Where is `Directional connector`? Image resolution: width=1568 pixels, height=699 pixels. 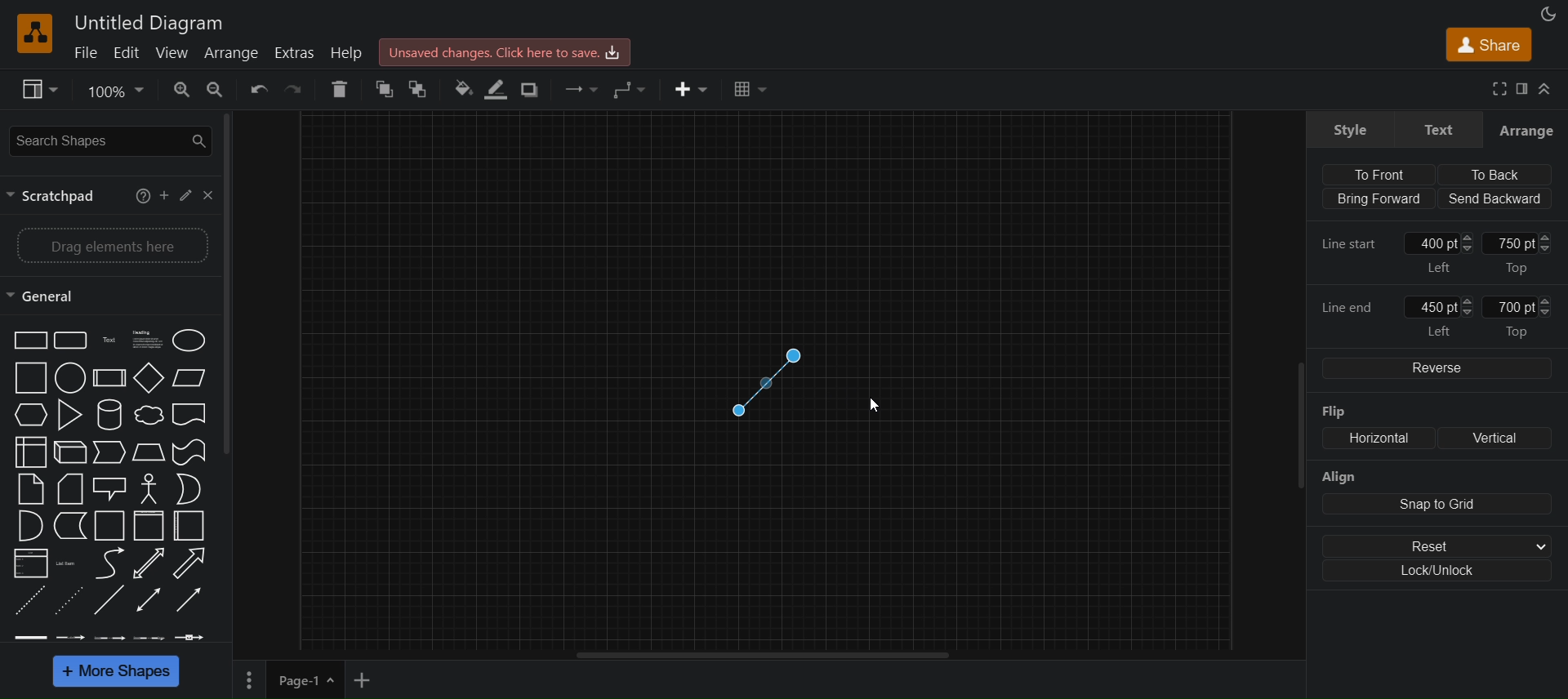
Directional connector is located at coordinates (191, 602).